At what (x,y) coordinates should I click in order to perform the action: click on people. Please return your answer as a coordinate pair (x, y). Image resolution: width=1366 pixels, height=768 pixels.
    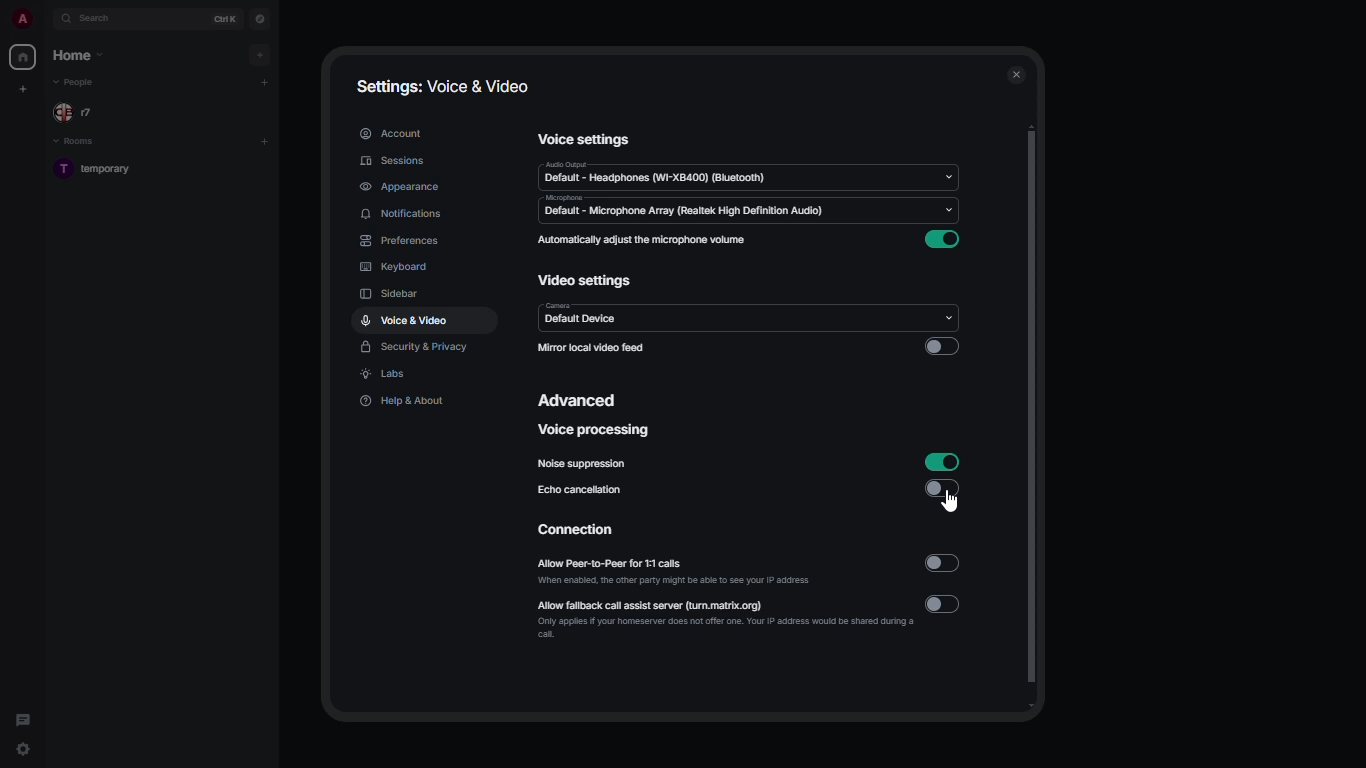
    Looking at the image, I should click on (78, 82).